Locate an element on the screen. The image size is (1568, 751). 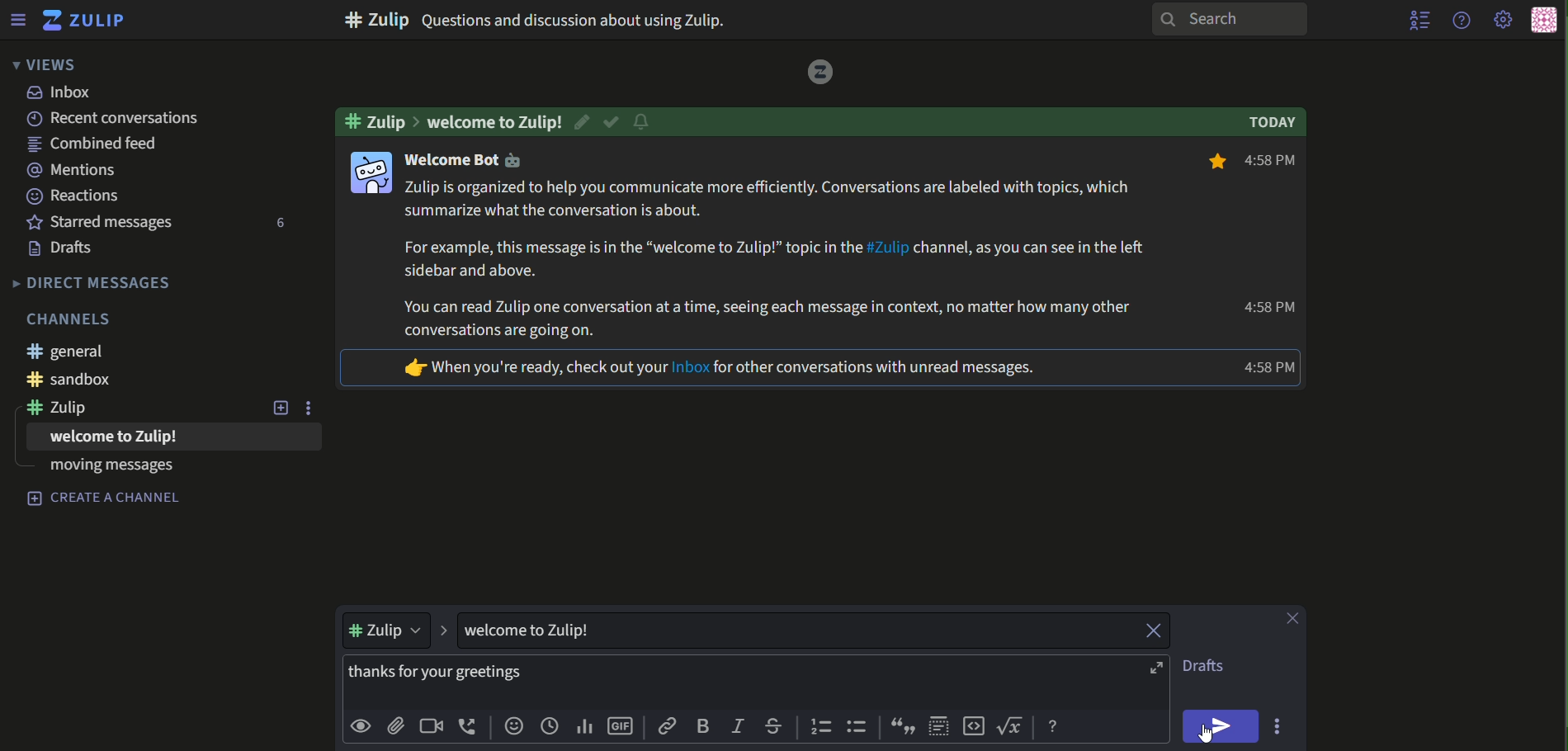
text is located at coordinates (539, 631).